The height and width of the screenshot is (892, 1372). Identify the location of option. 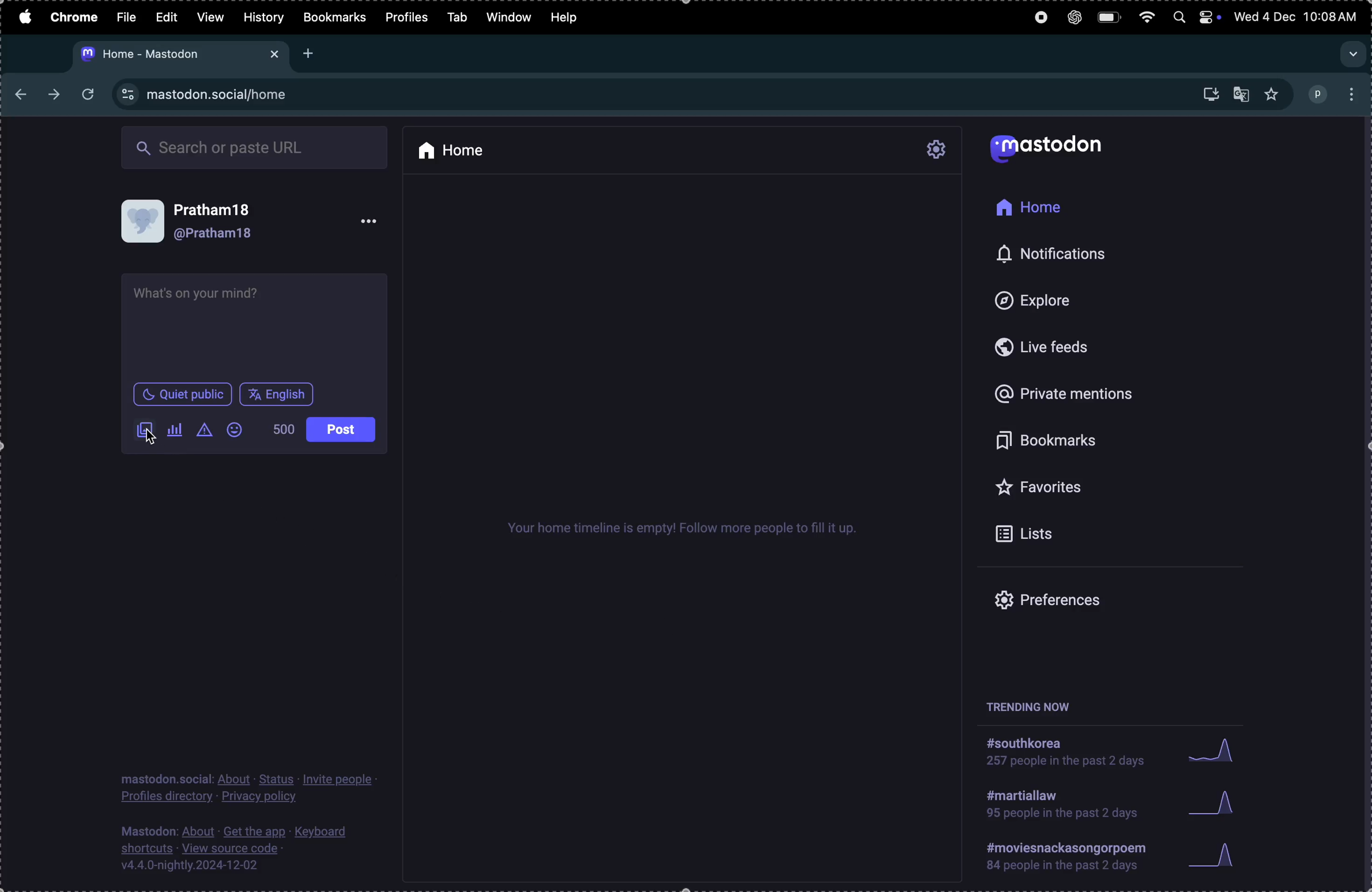
(369, 224).